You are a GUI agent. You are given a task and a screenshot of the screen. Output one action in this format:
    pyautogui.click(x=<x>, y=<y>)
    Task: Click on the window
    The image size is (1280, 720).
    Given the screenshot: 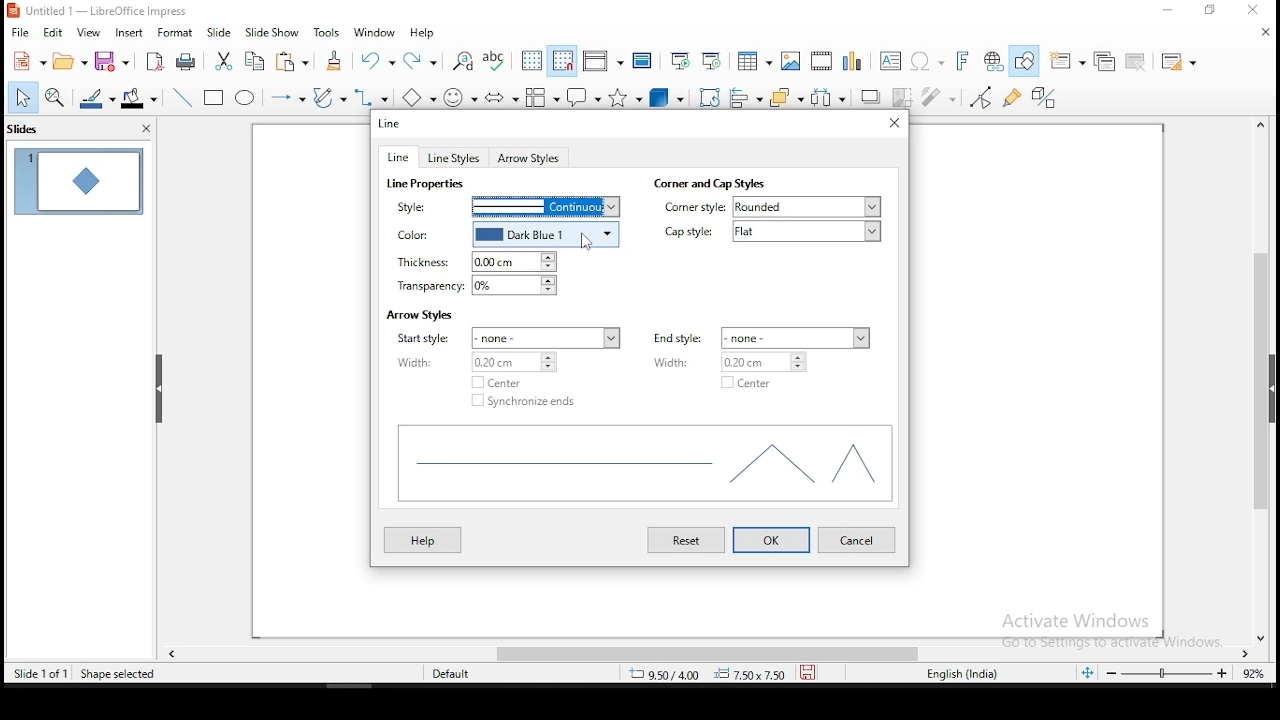 What is the action you would take?
    pyautogui.click(x=375, y=31)
    